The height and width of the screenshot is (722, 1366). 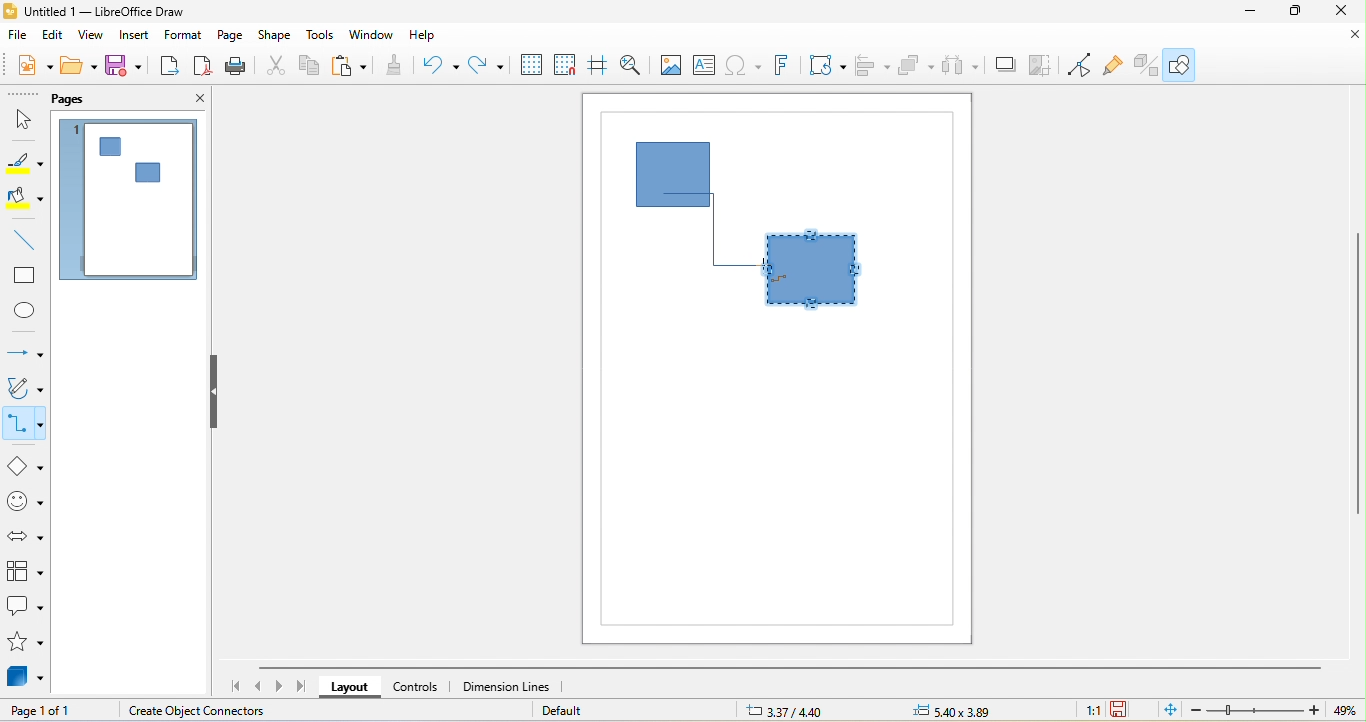 I want to click on dimension lines, so click(x=514, y=687).